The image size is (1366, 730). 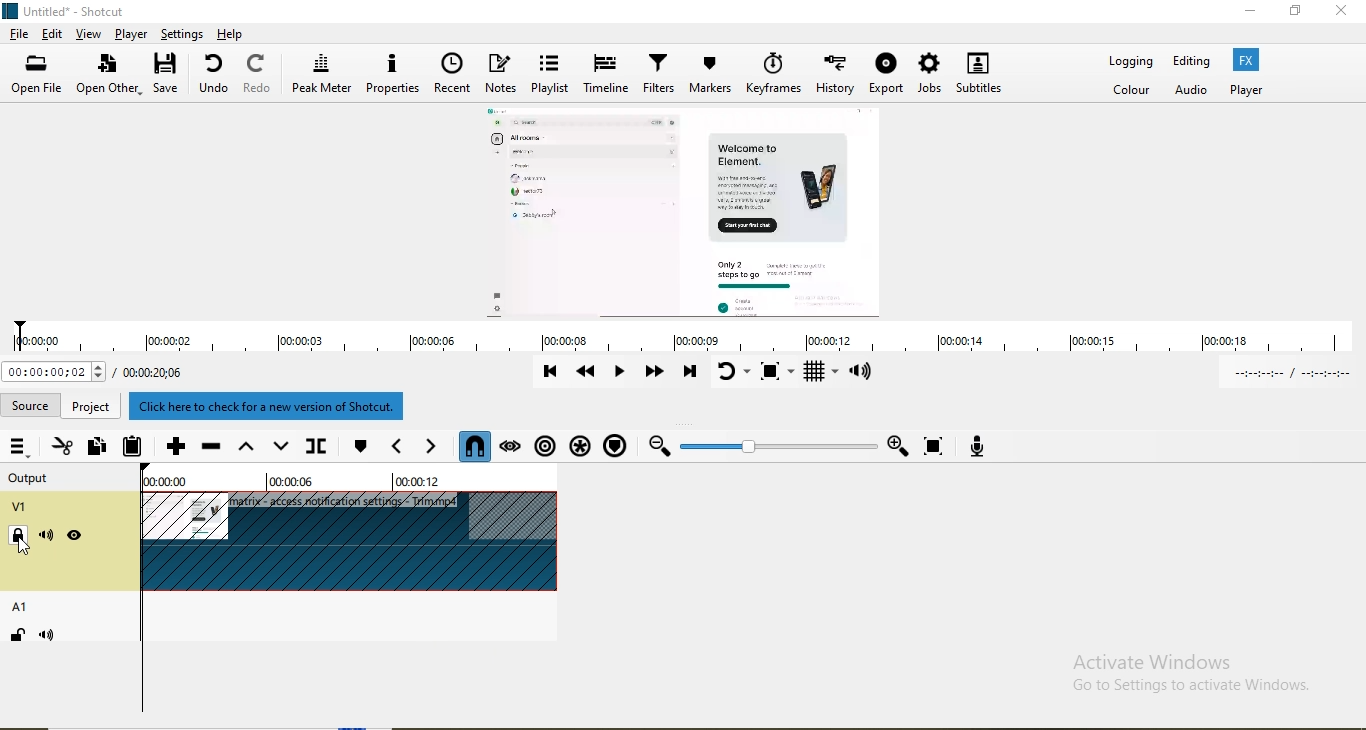 I want to click on Export, so click(x=888, y=76).